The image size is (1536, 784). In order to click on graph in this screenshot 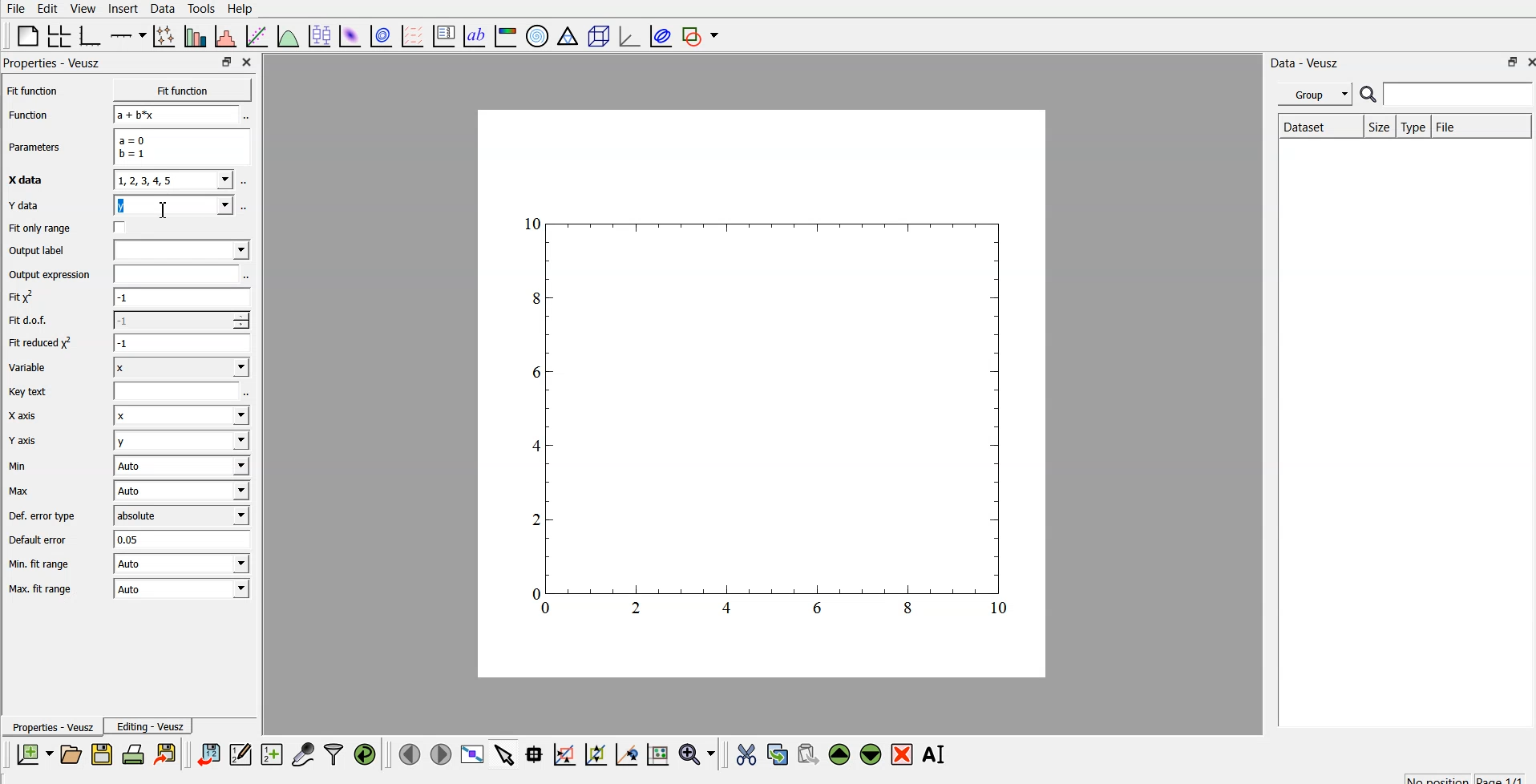, I will do `click(766, 418)`.